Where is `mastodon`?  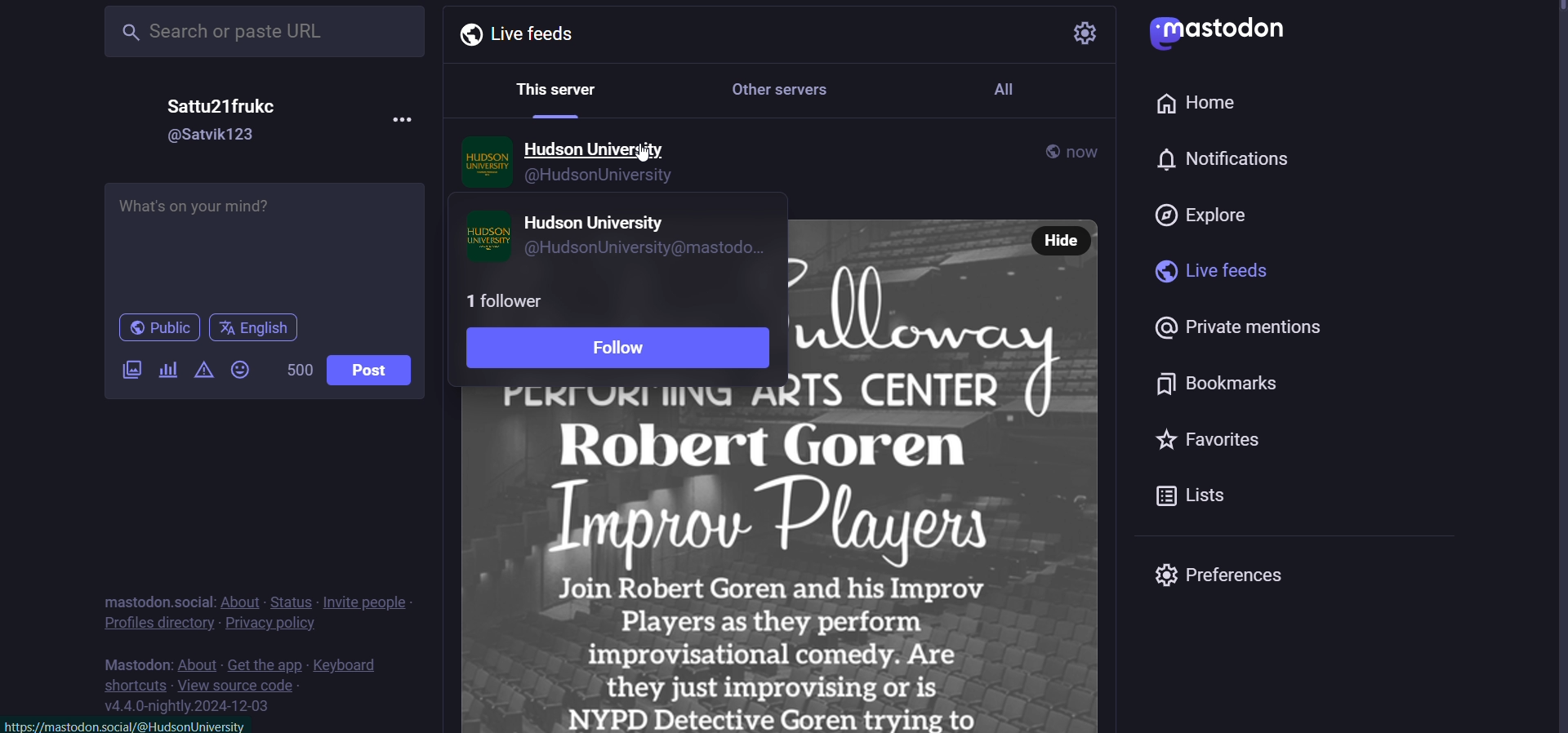
mastodon is located at coordinates (136, 602).